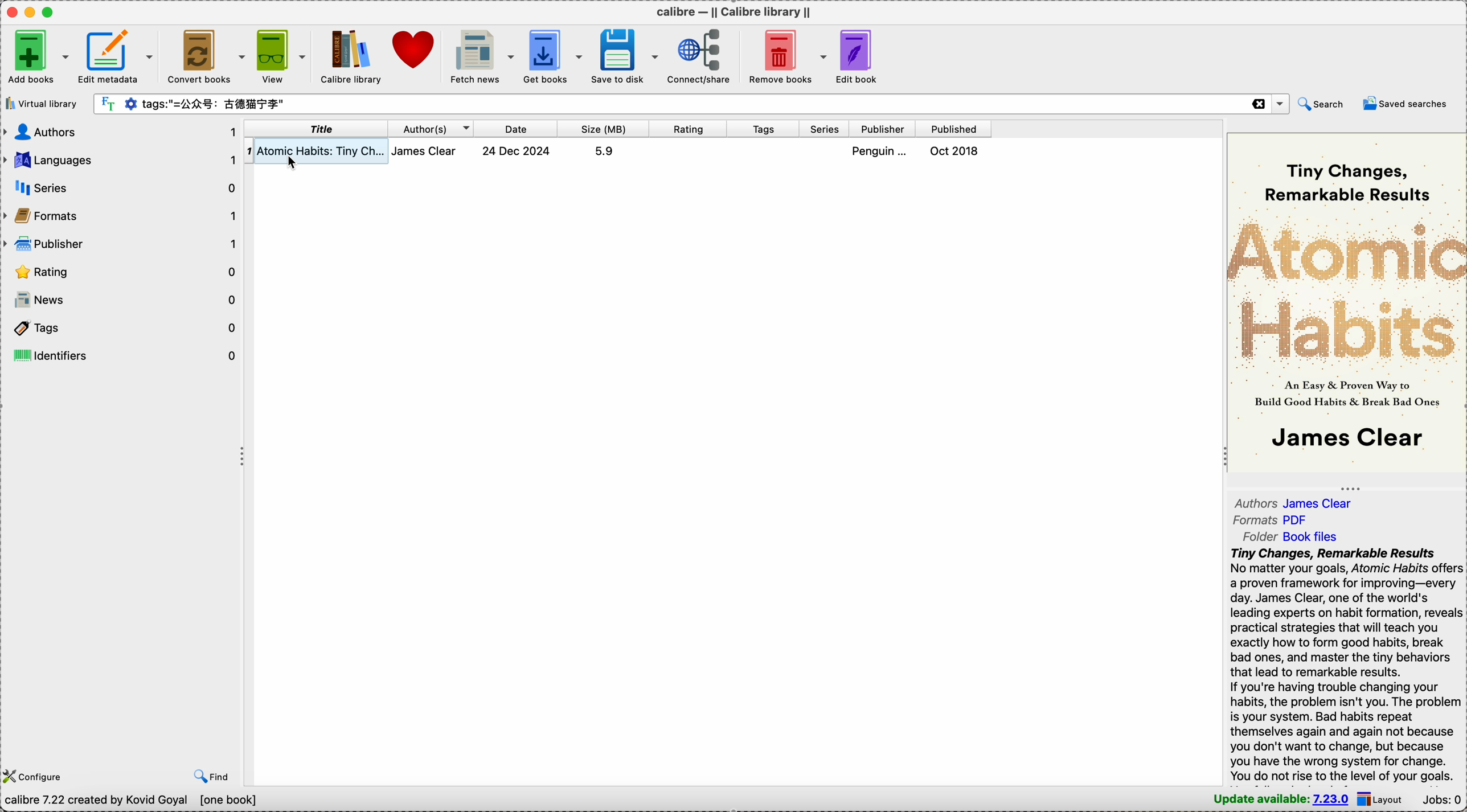  What do you see at coordinates (119, 54) in the screenshot?
I see `edit metadata` at bounding box center [119, 54].